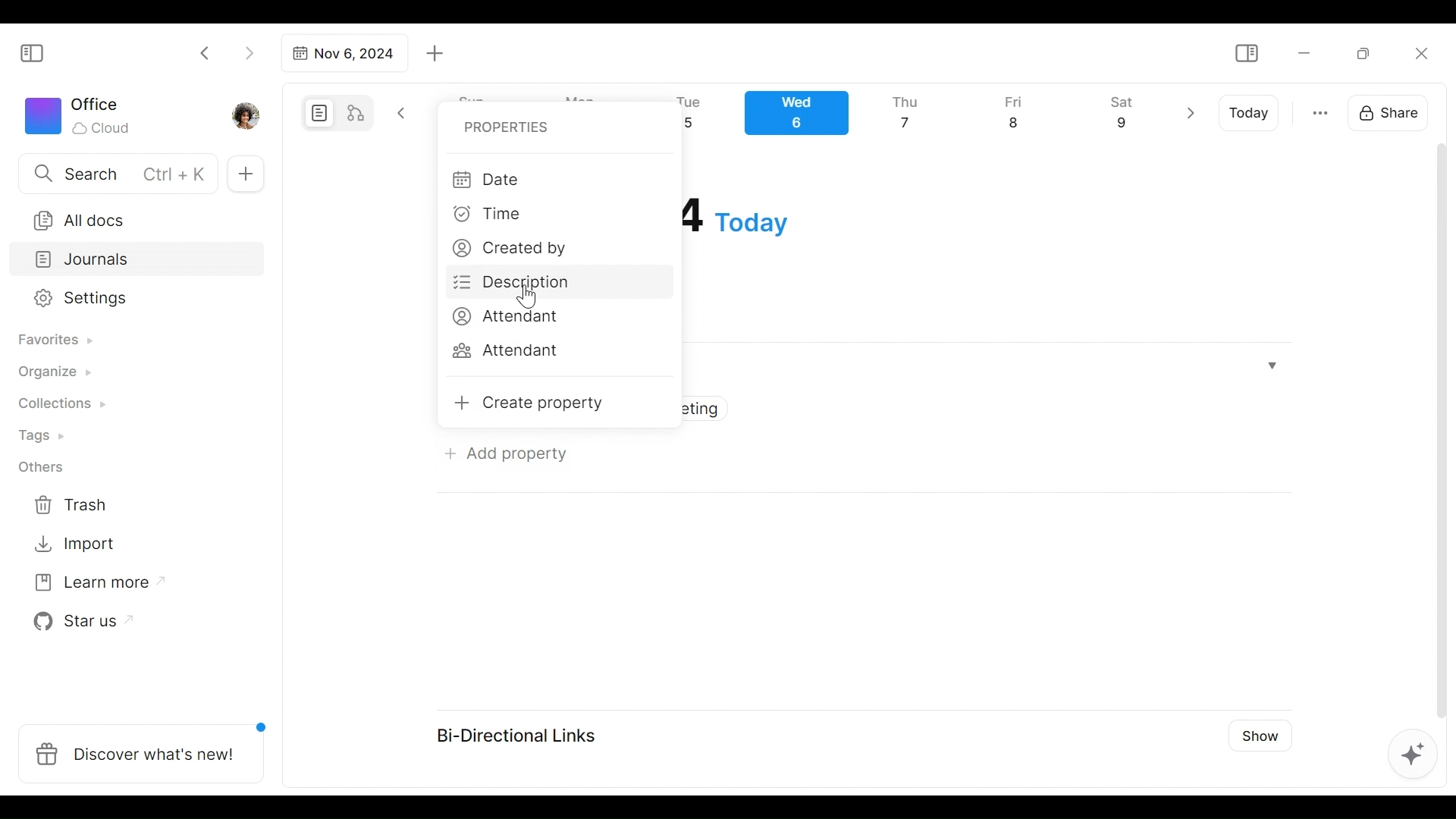 This screenshot has height=819, width=1456. I want to click on Organize, so click(53, 373).